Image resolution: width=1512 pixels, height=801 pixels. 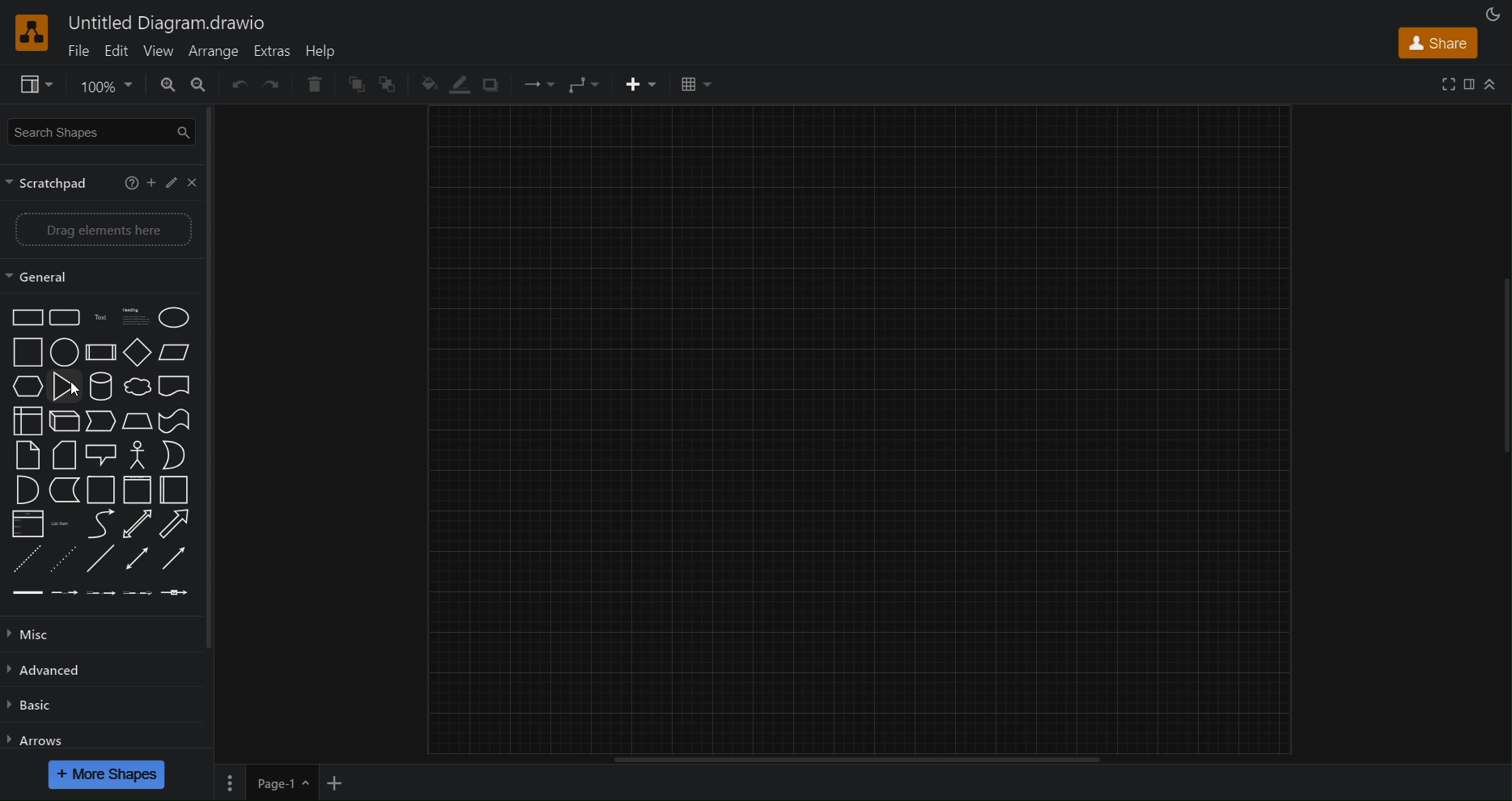 I want to click on Logo, so click(x=35, y=32).